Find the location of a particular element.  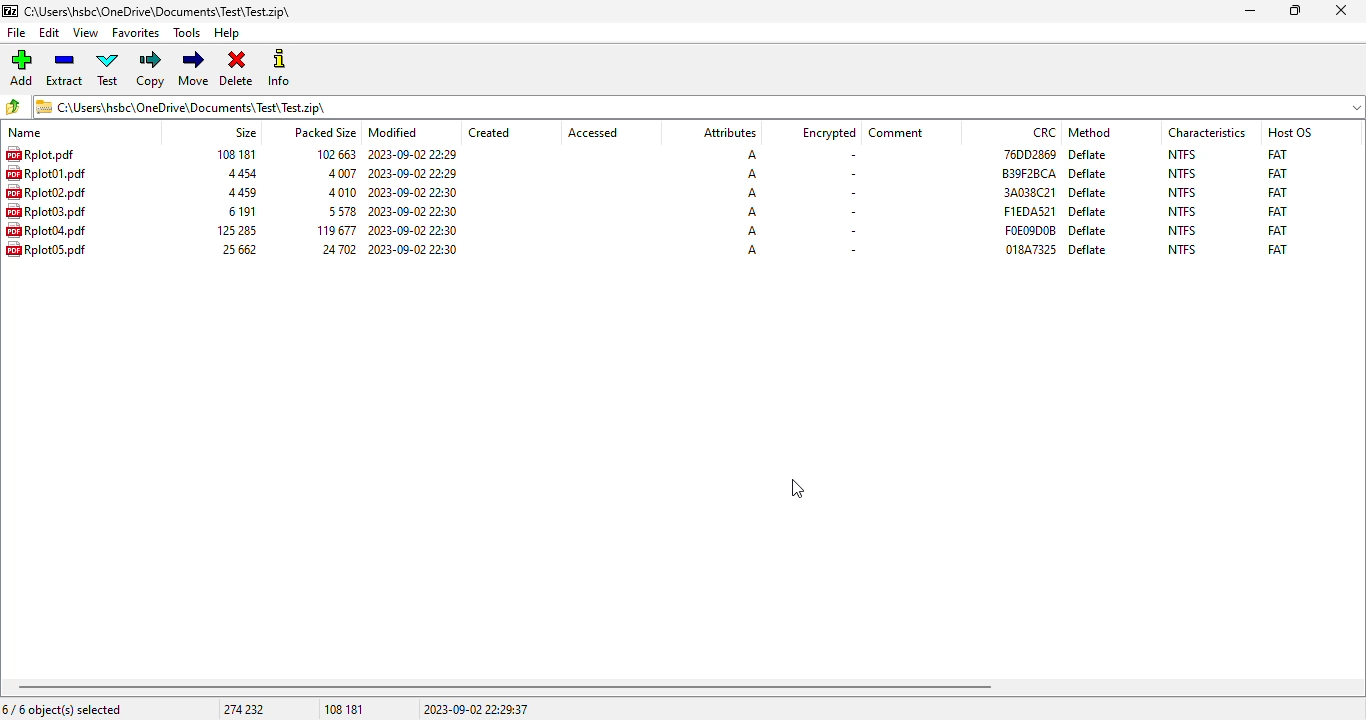

- is located at coordinates (850, 156).